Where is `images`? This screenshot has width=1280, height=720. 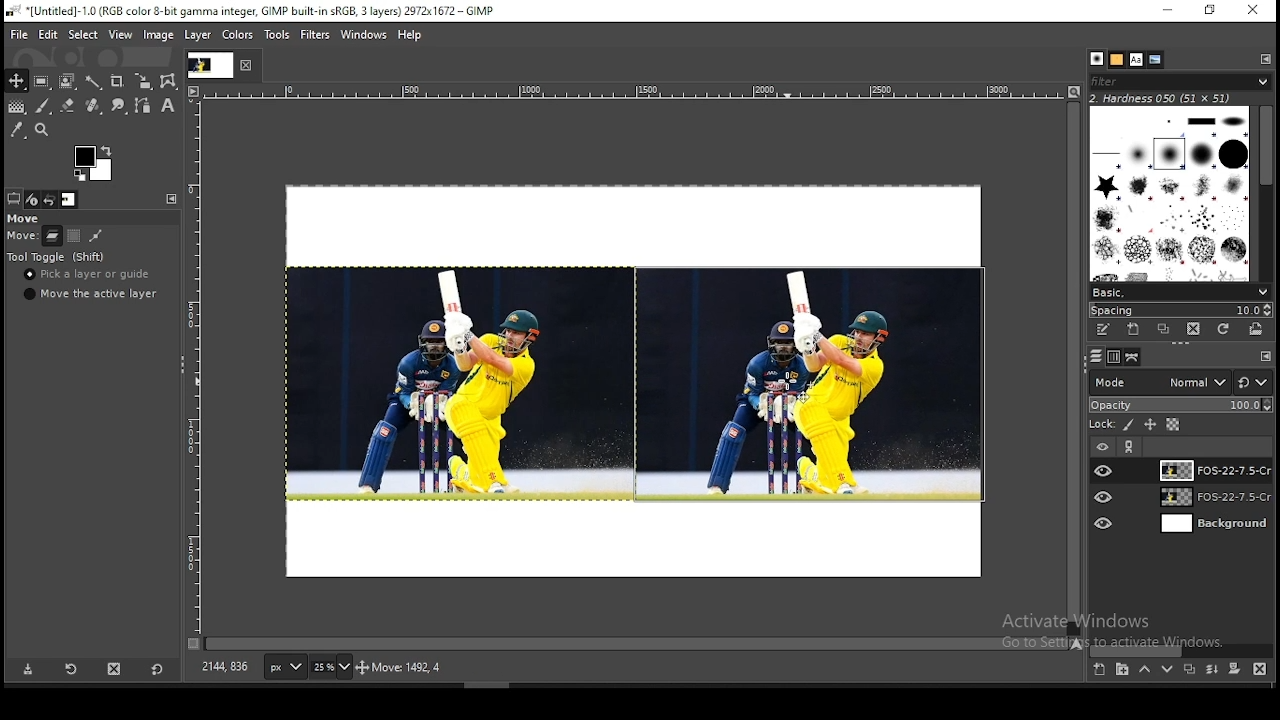
images is located at coordinates (69, 200).